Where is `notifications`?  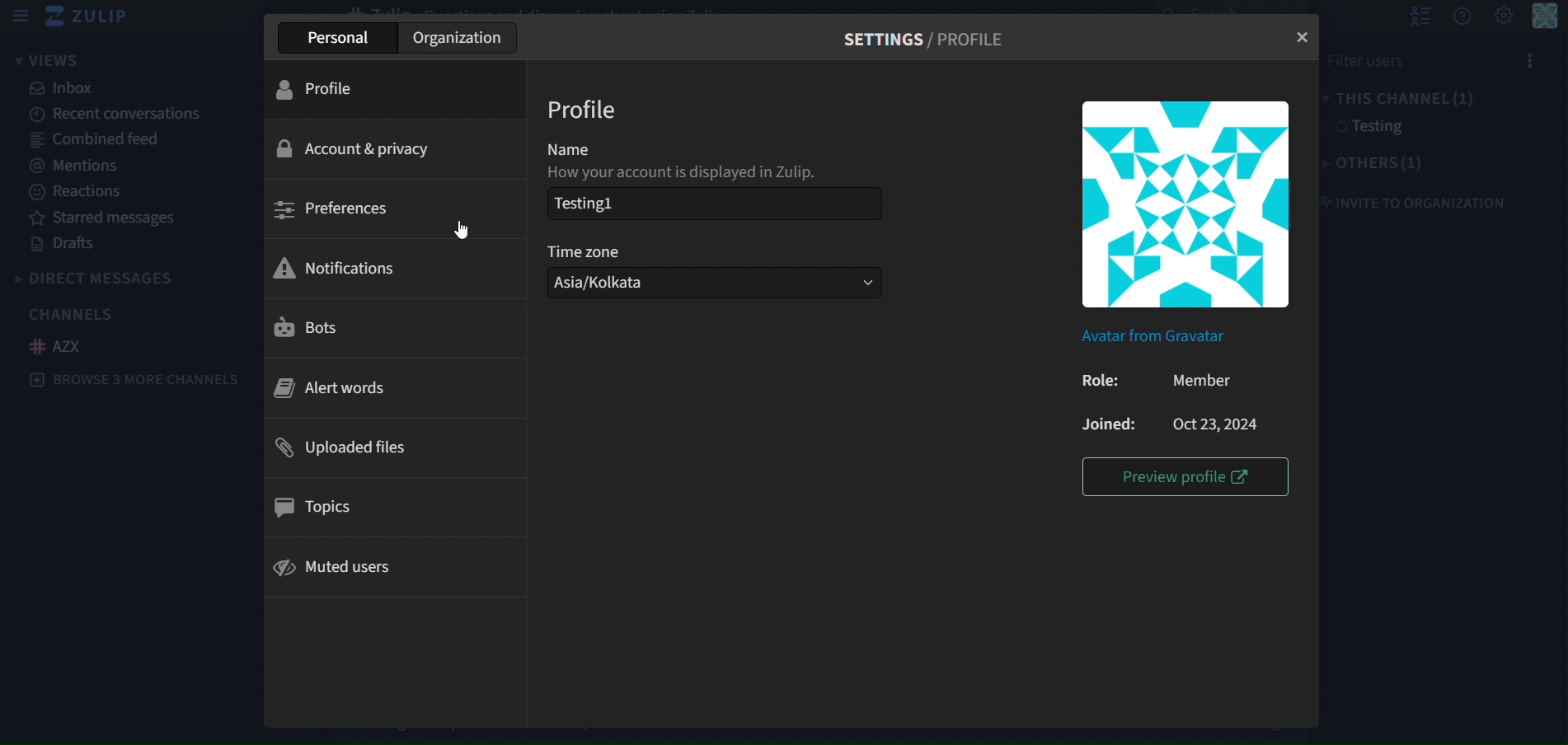 notifications is located at coordinates (337, 268).